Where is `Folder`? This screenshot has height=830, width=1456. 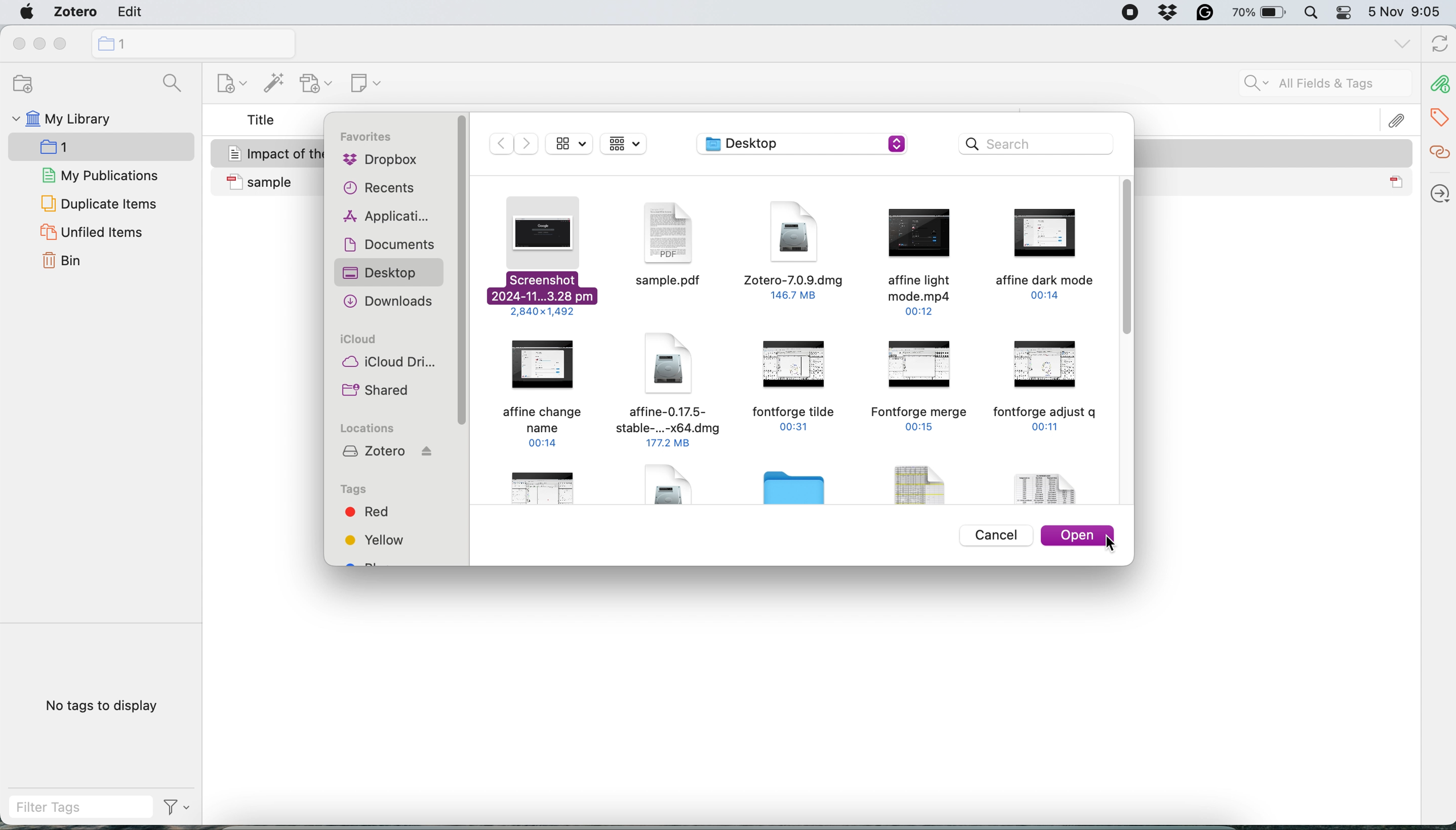
Folder is located at coordinates (799, 491).